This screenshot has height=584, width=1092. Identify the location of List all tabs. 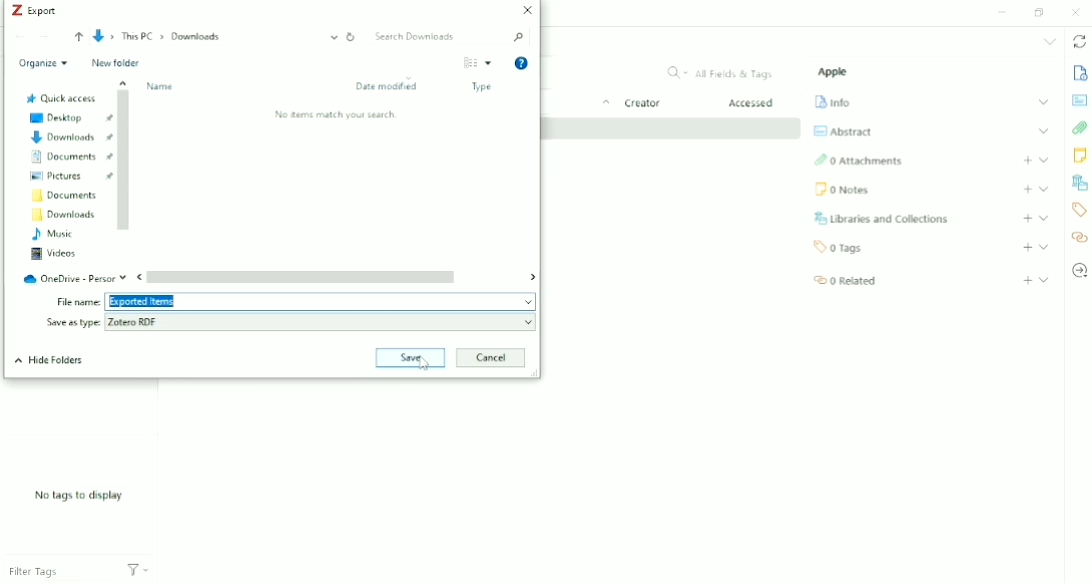
(1048, 43).